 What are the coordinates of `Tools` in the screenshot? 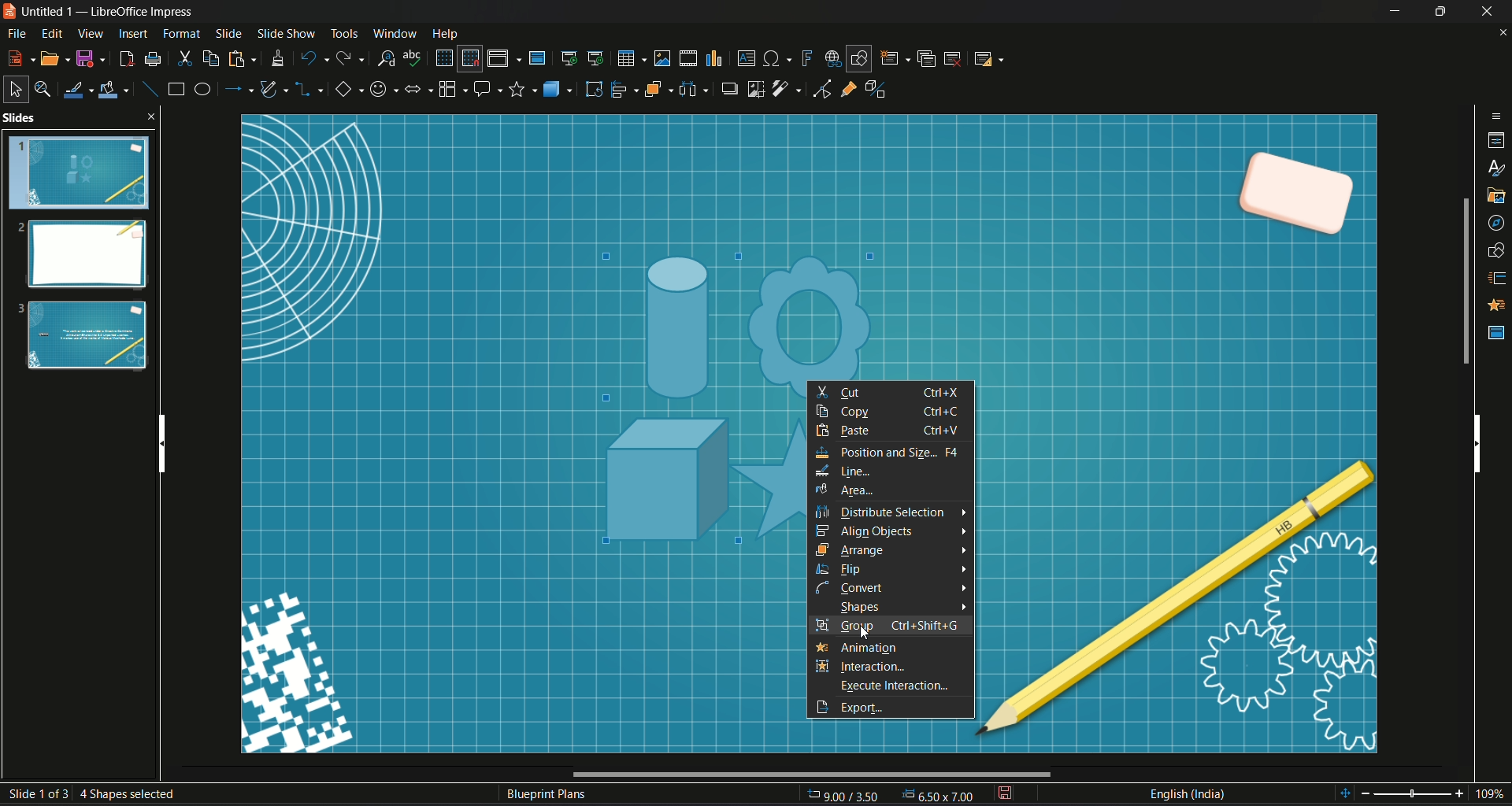 It's located at (343, 31).